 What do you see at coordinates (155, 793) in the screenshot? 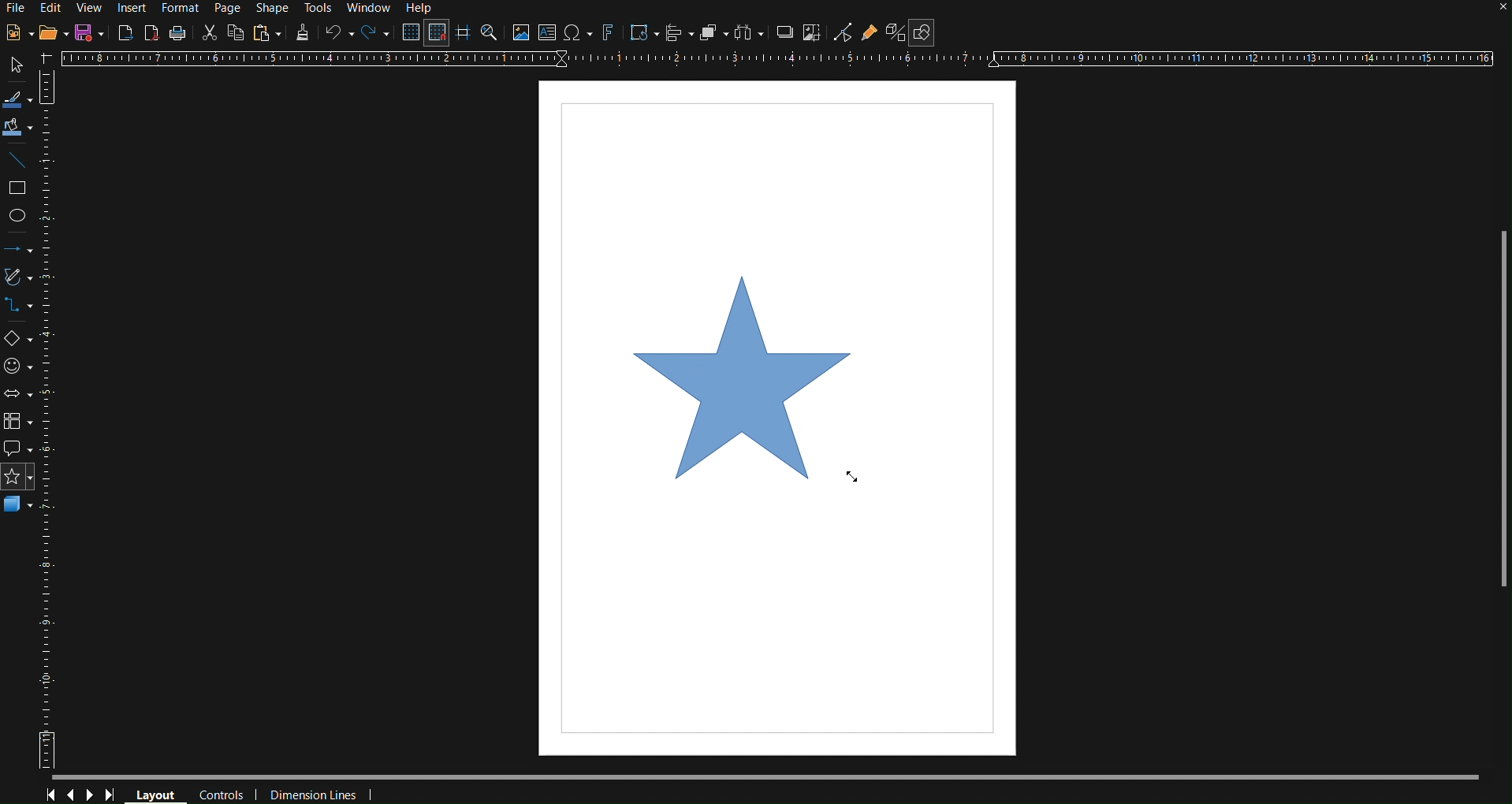
I see `Layout` at bounding box center [155, 793].